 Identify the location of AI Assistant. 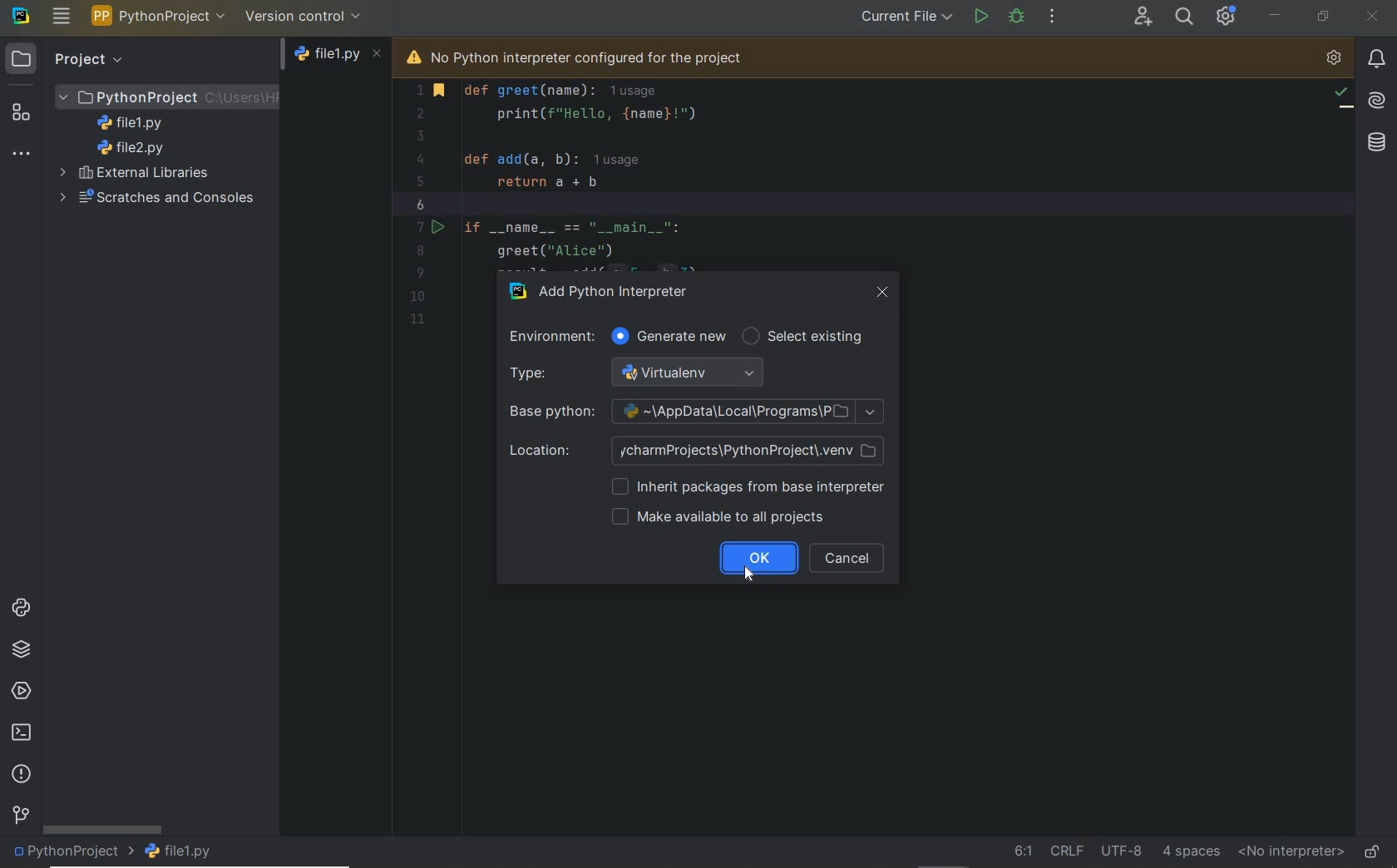
(1375, 99).